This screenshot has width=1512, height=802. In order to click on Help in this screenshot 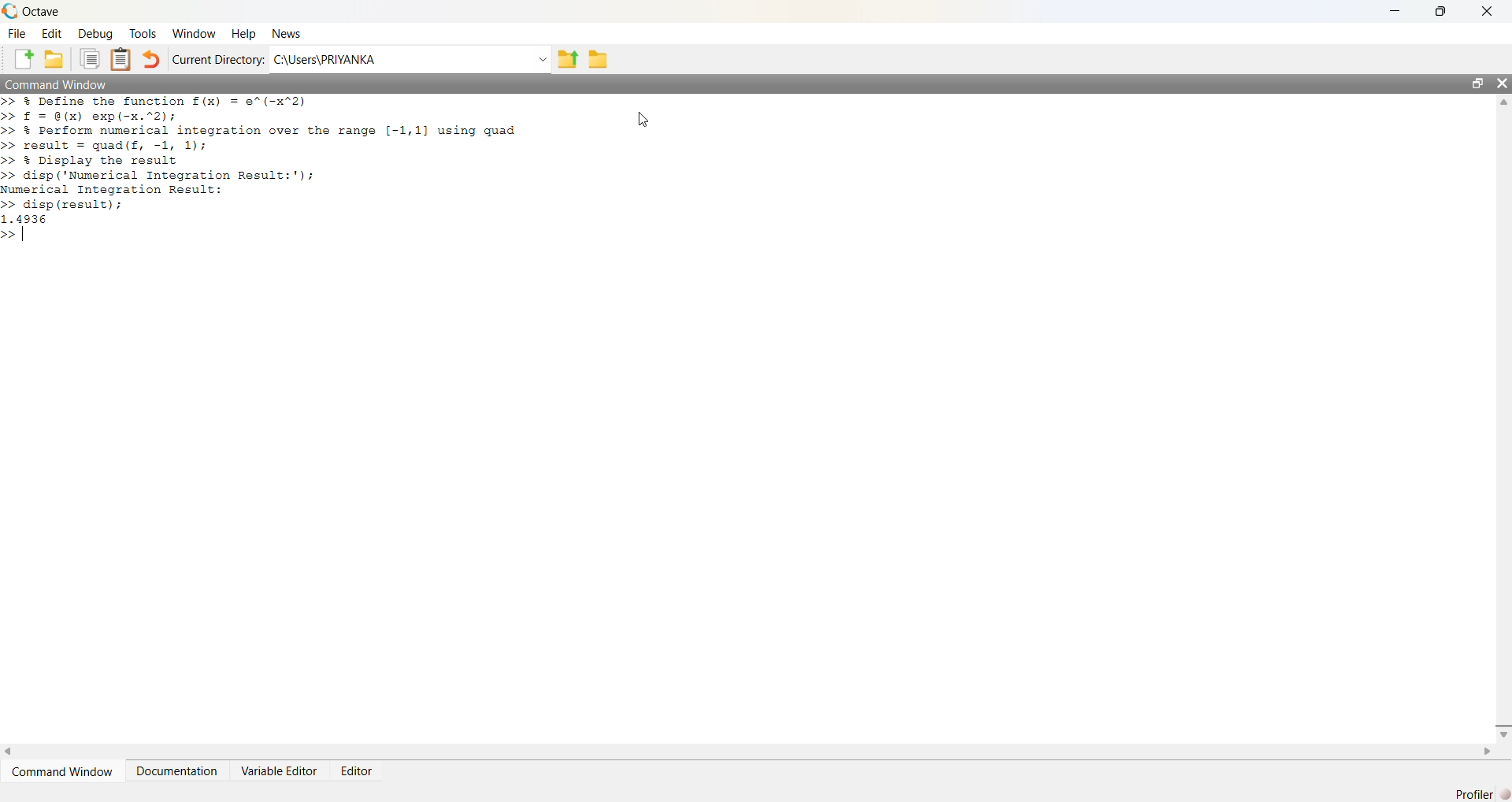, I will do `click(244, 32)`.